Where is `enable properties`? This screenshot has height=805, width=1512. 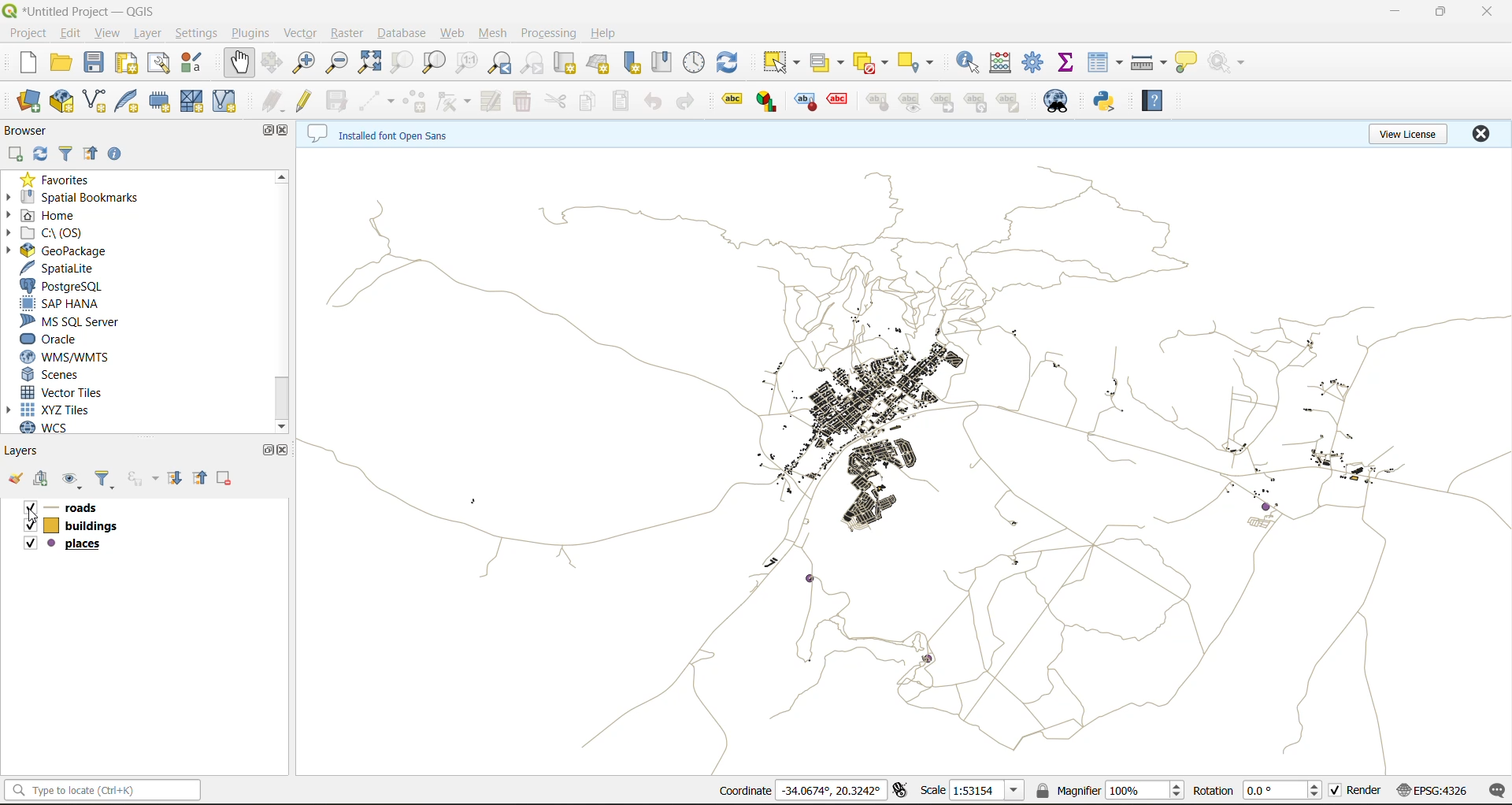
enable properties is located at coordinates (118, 154).